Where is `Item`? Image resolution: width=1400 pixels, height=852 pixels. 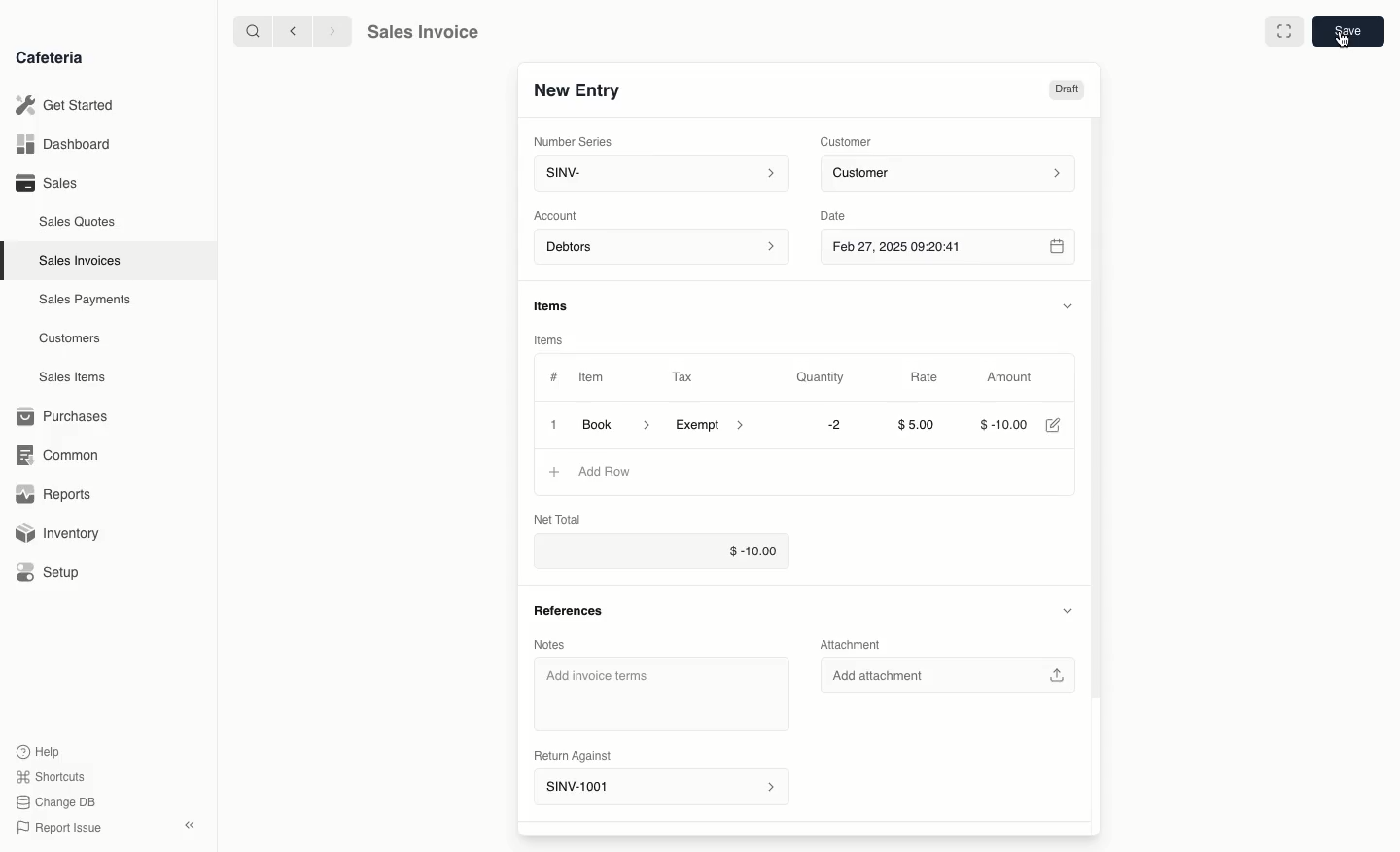 Item is located at coordinates (592, 376).